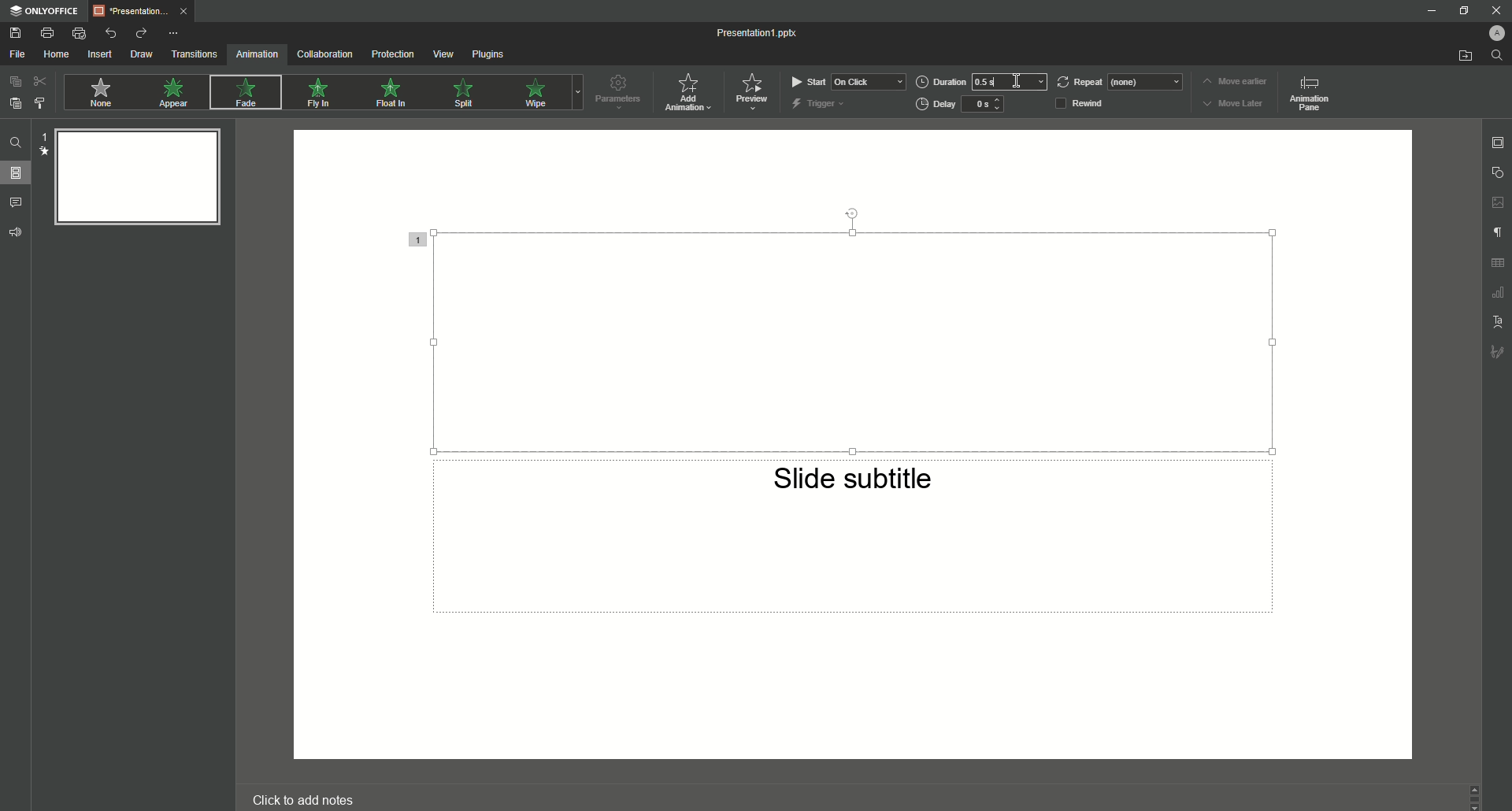  What do you see at coordinates (258, 55) in the screenshot?
I see `Animation` at bounding box center [258, 55].